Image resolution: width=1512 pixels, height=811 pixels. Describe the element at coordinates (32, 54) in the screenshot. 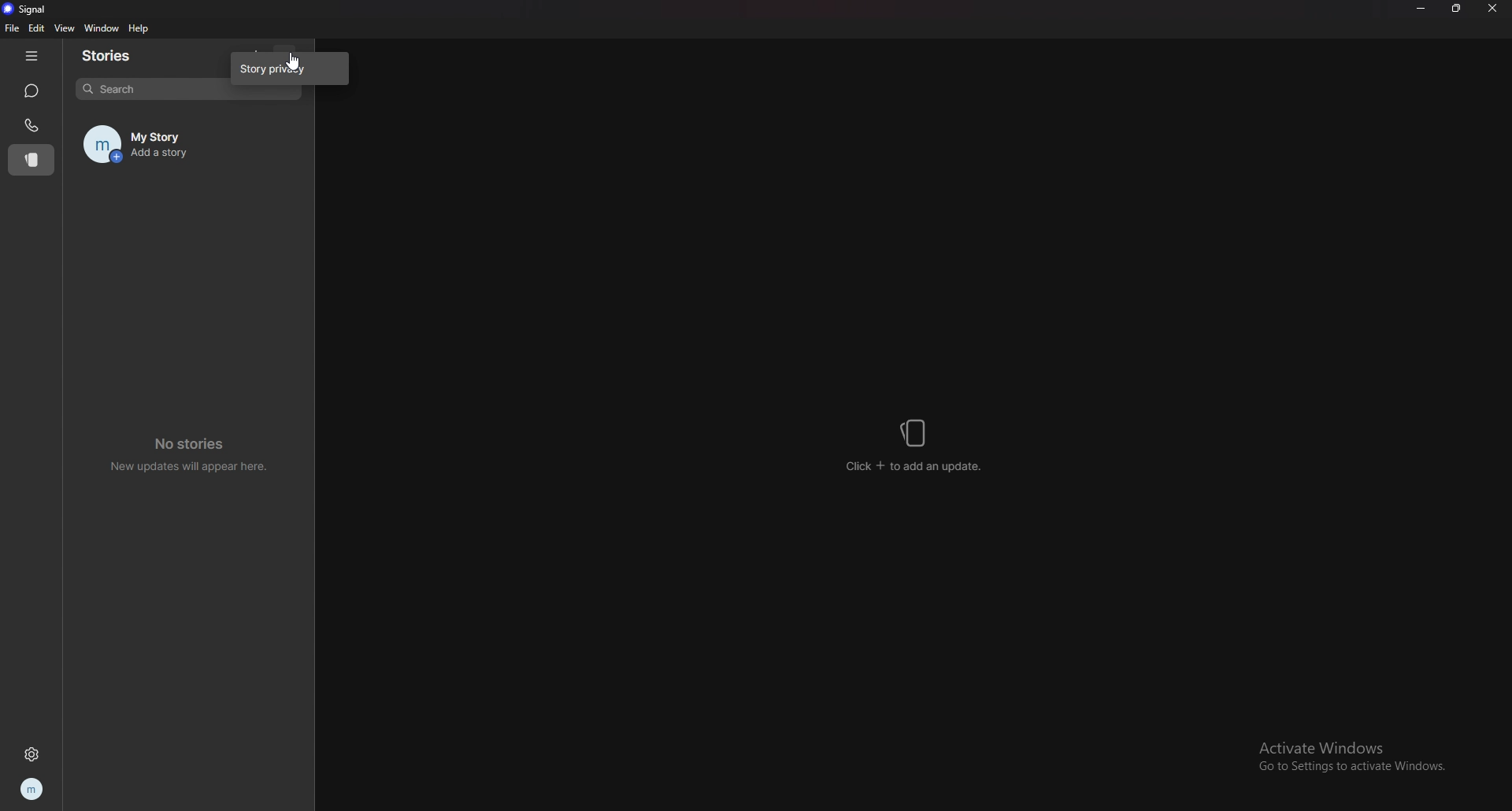

I see `hide tab` at that location.